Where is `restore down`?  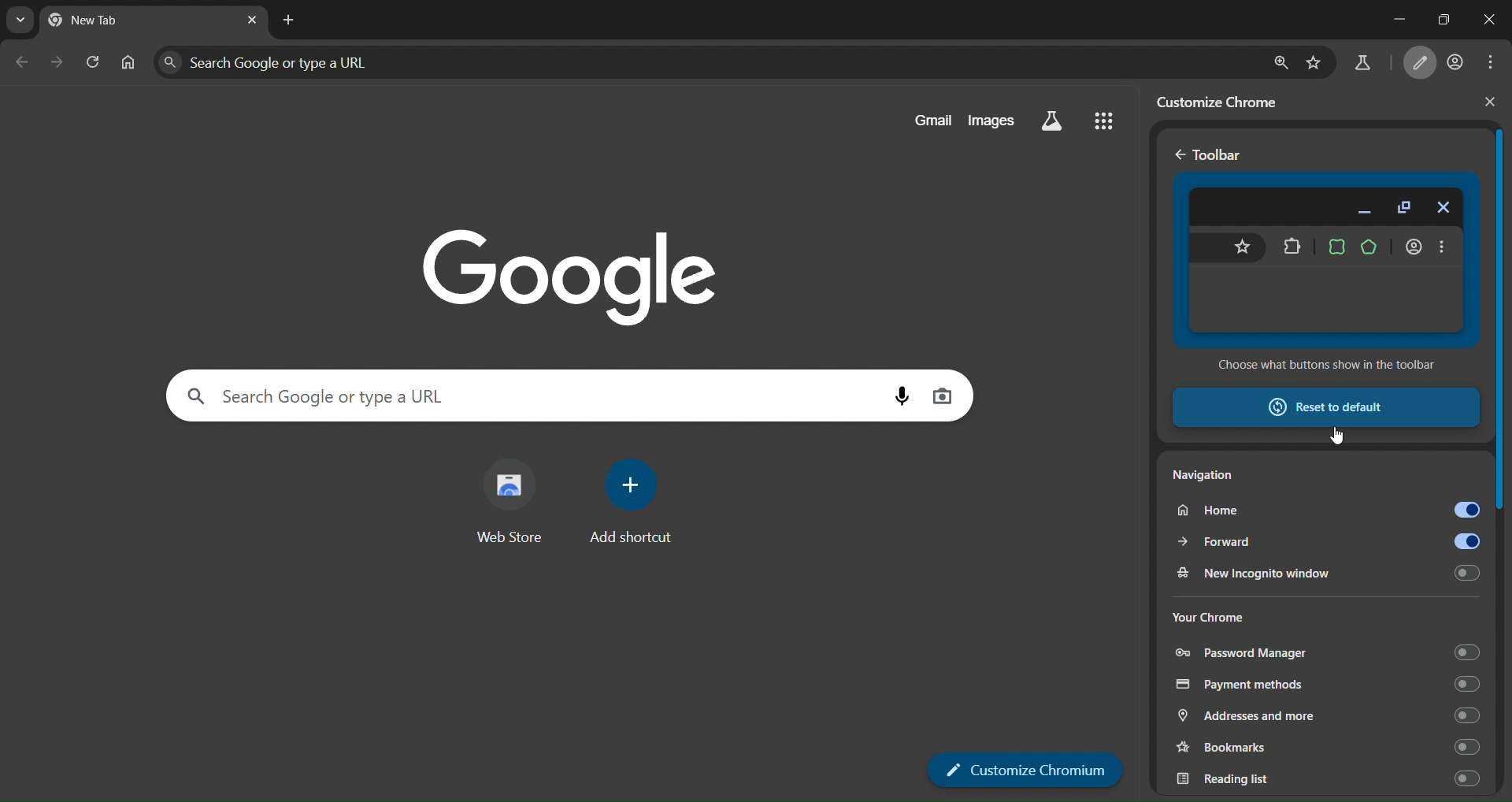 restore down is located at coordinates (1445, 20).